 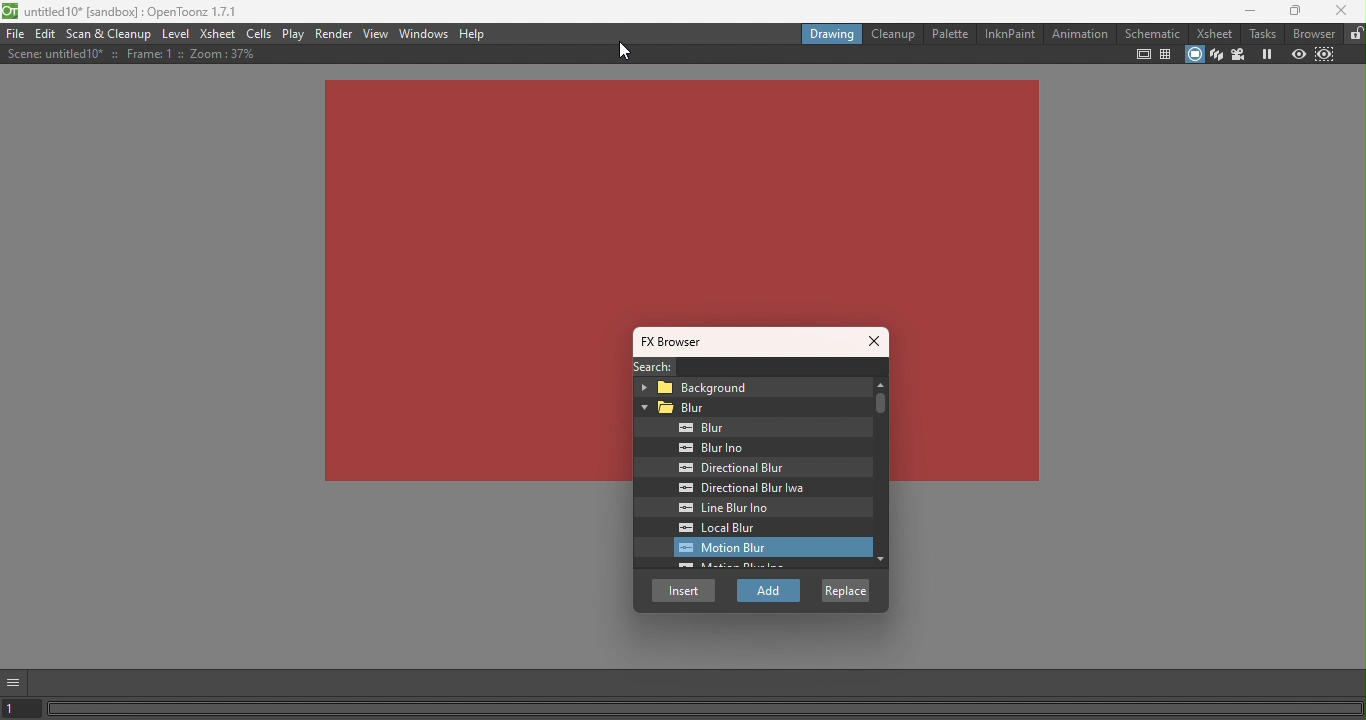 I want to click on selected Motion blur, so click(x=766, y=548).